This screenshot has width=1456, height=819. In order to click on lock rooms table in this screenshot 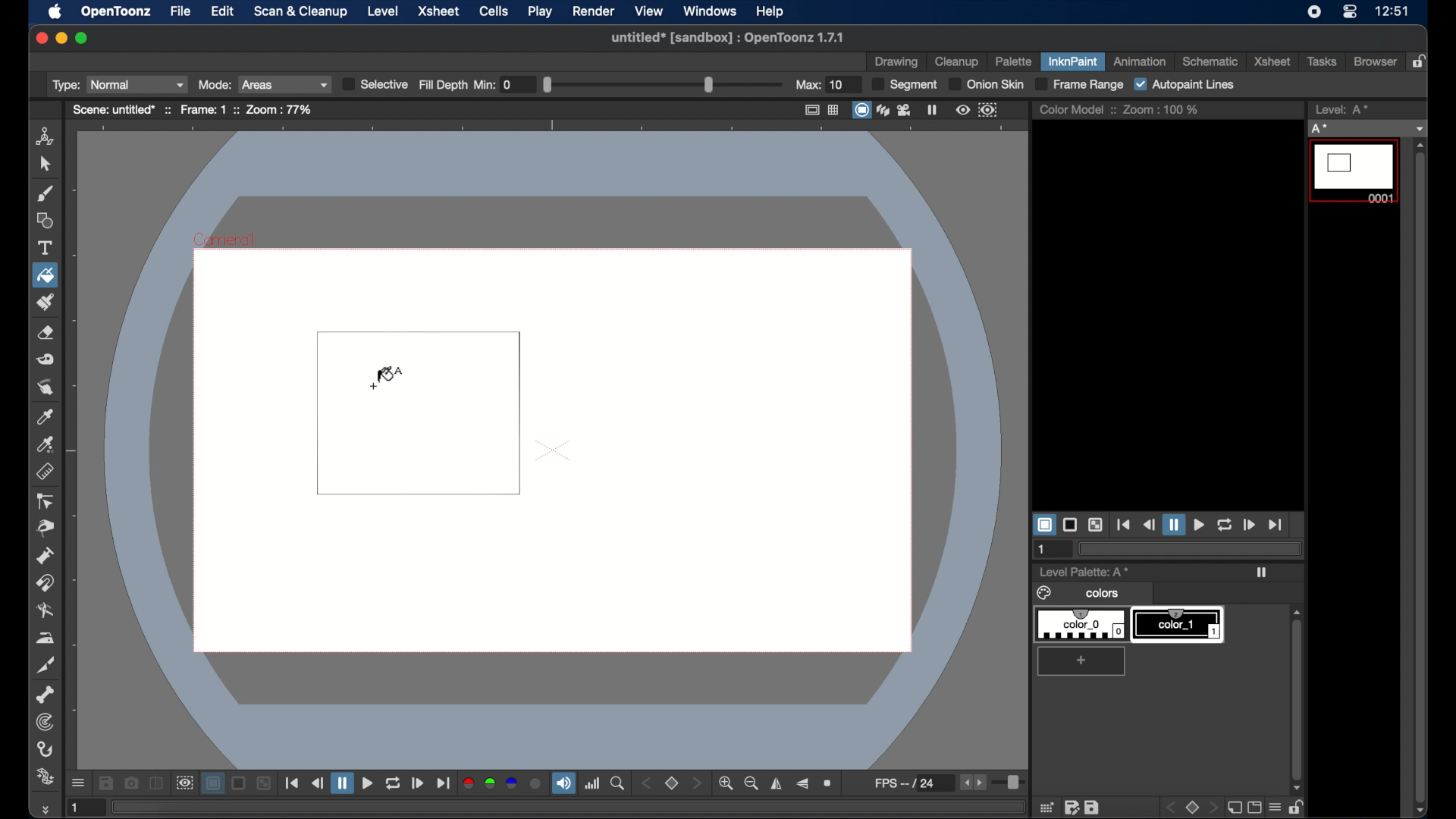, I will do `click(1421, 61)`.